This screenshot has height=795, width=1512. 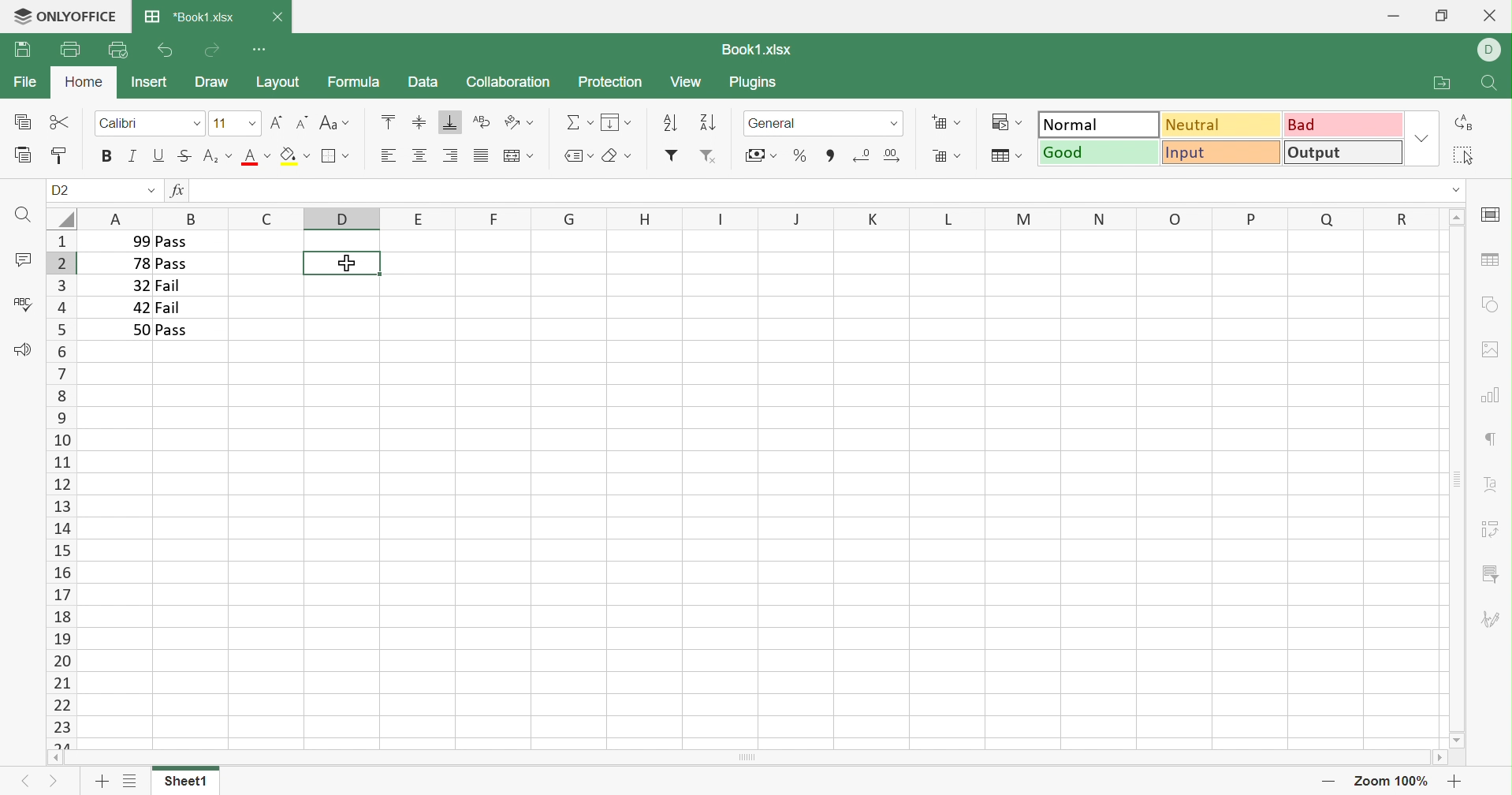 I want to click on Accounting style, so click(x=760, y=157).